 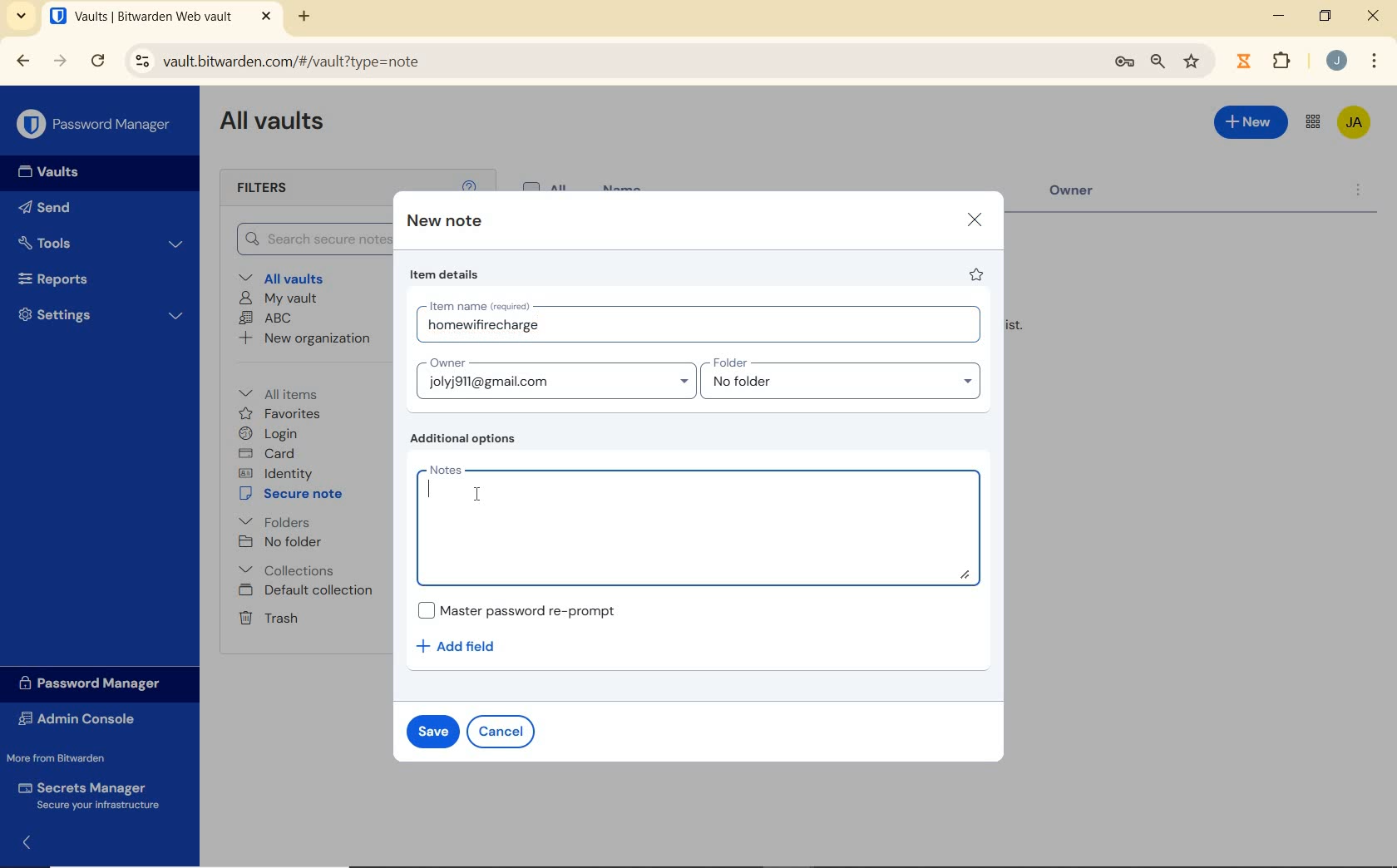 What do you see at coordinates (273, 124) in the screenshot?
I see `All Vaults` at bounding box center [273, 124].